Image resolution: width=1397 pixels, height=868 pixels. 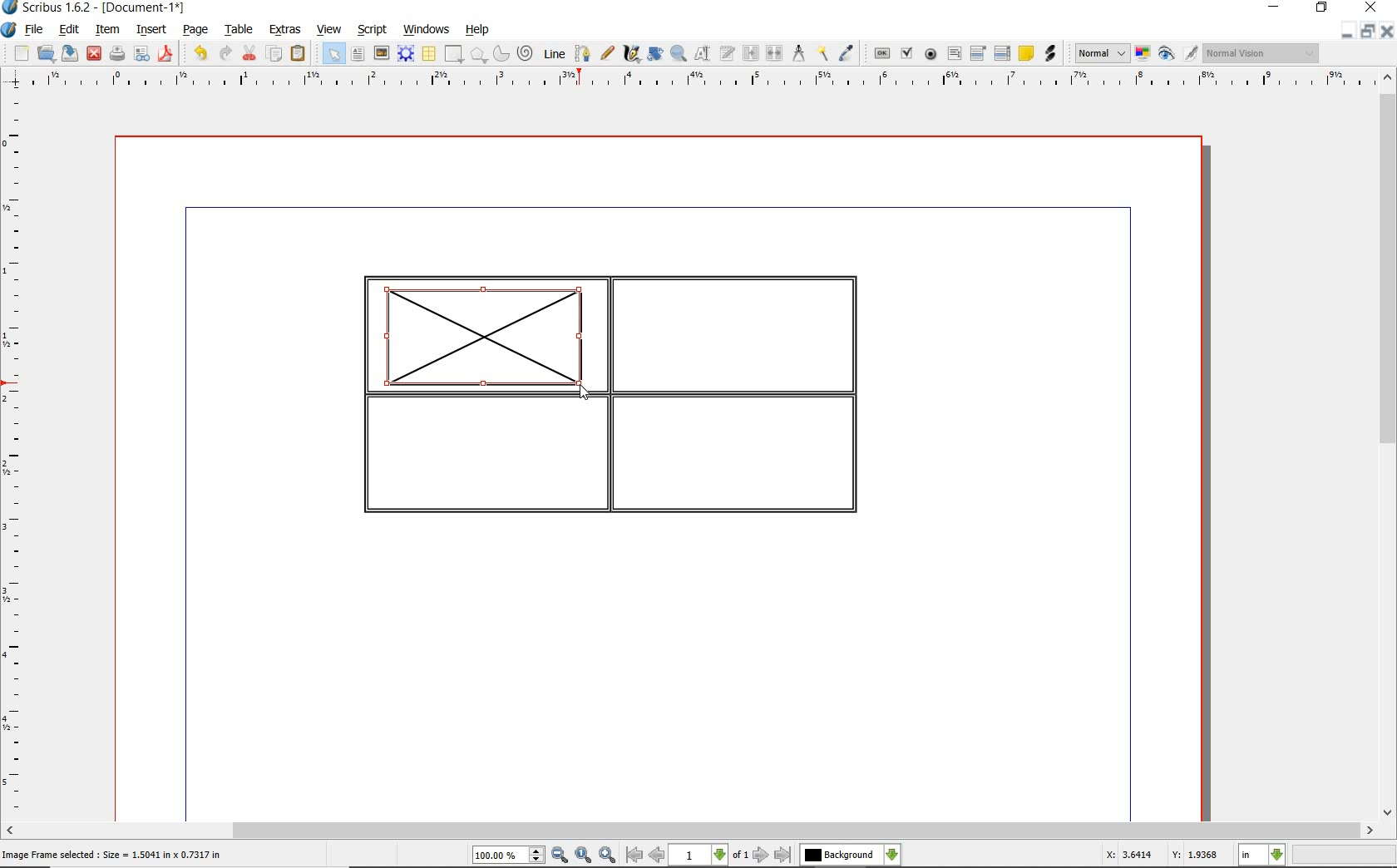 I want to click on file, so click(x=35, y=31).